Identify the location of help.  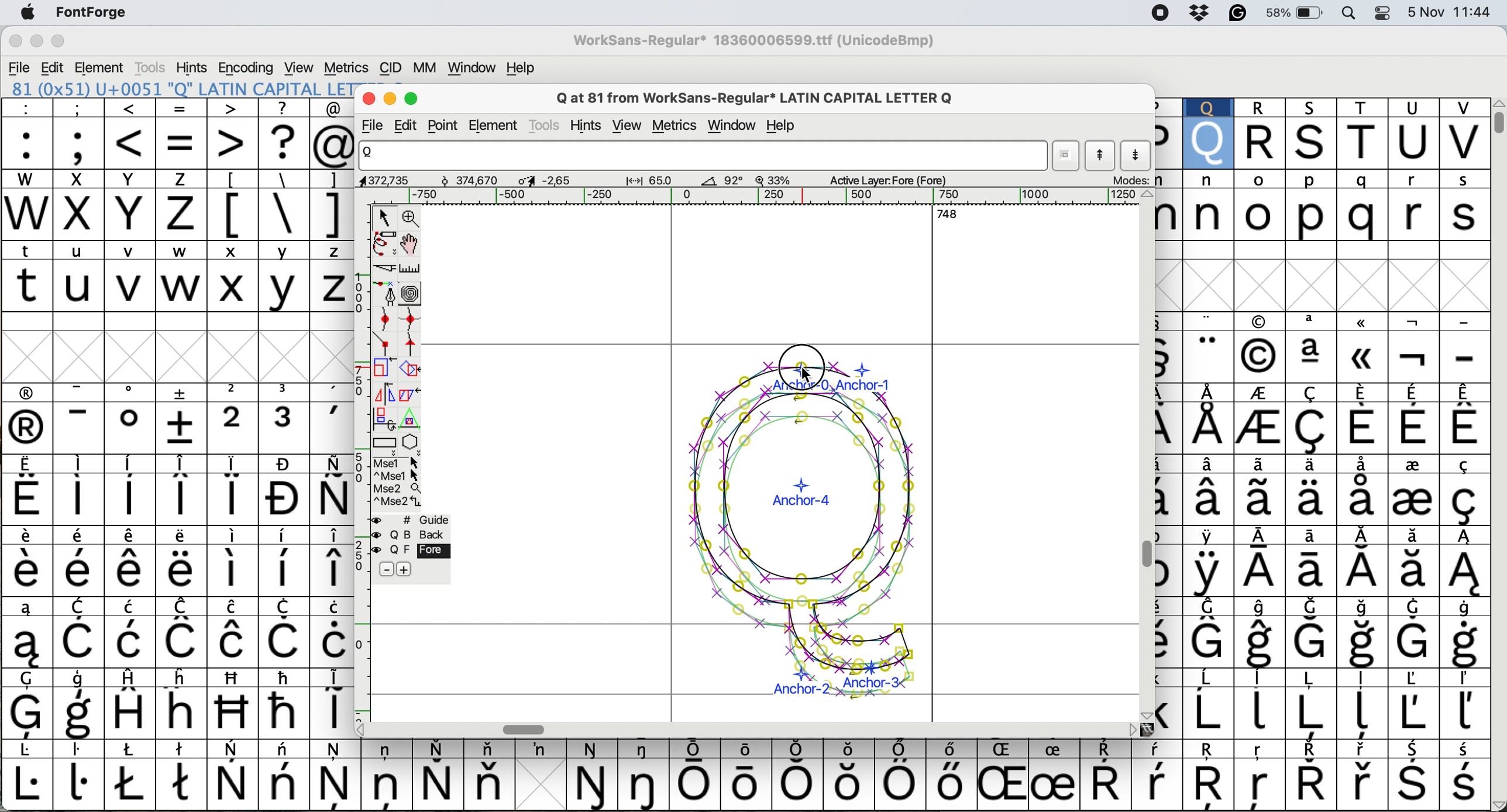
(782, 126).